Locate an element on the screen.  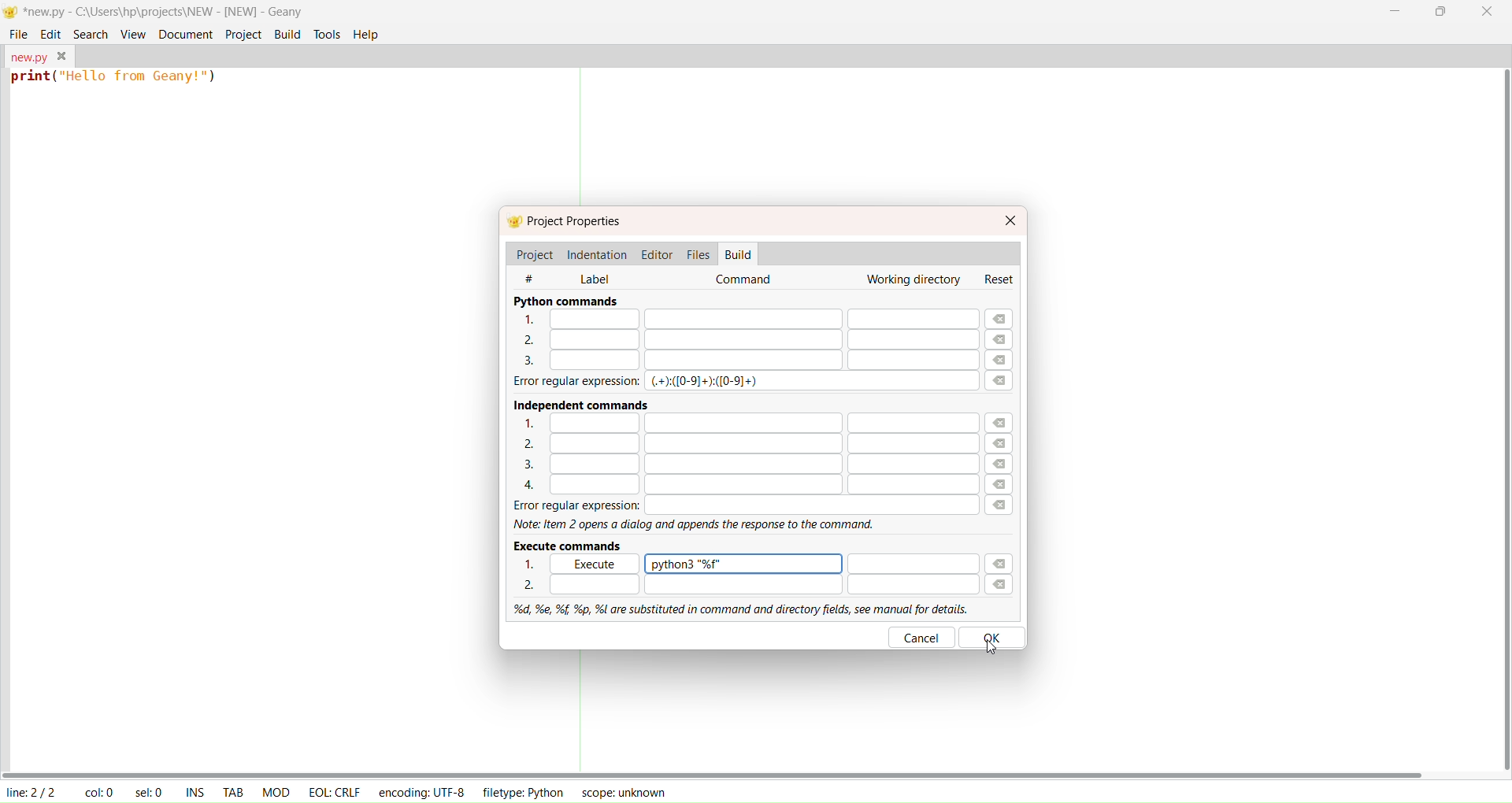
3. is located at coordinates (743, 361).